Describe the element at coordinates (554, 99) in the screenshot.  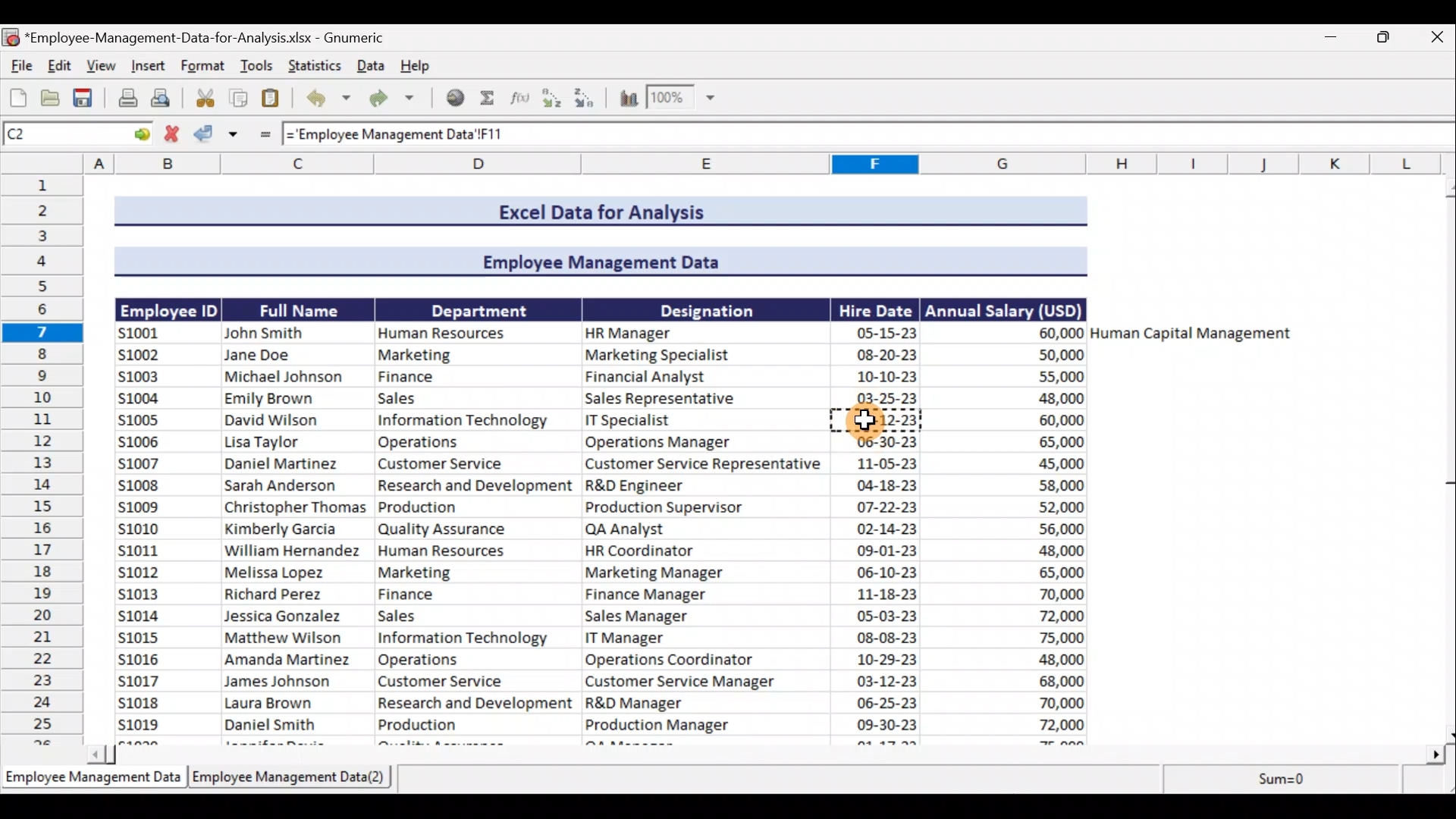
I see `Sort Ascending` at that location.